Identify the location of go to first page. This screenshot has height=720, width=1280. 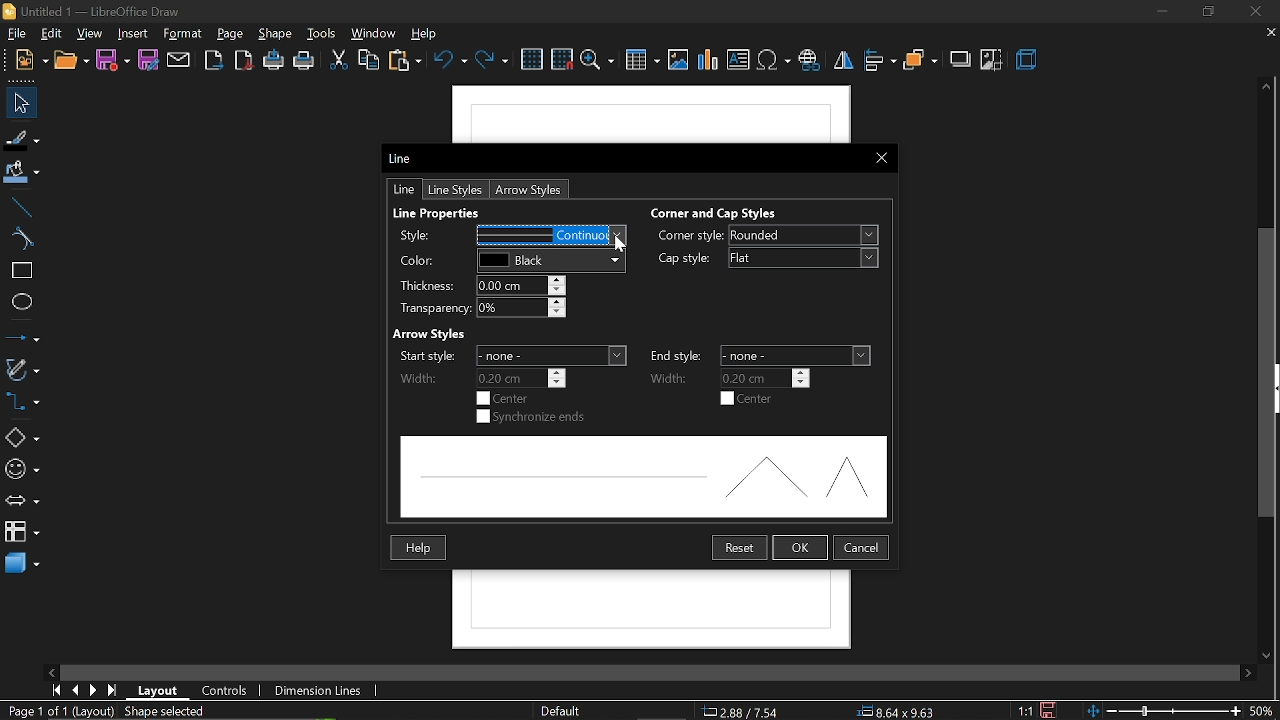
(57, 691).